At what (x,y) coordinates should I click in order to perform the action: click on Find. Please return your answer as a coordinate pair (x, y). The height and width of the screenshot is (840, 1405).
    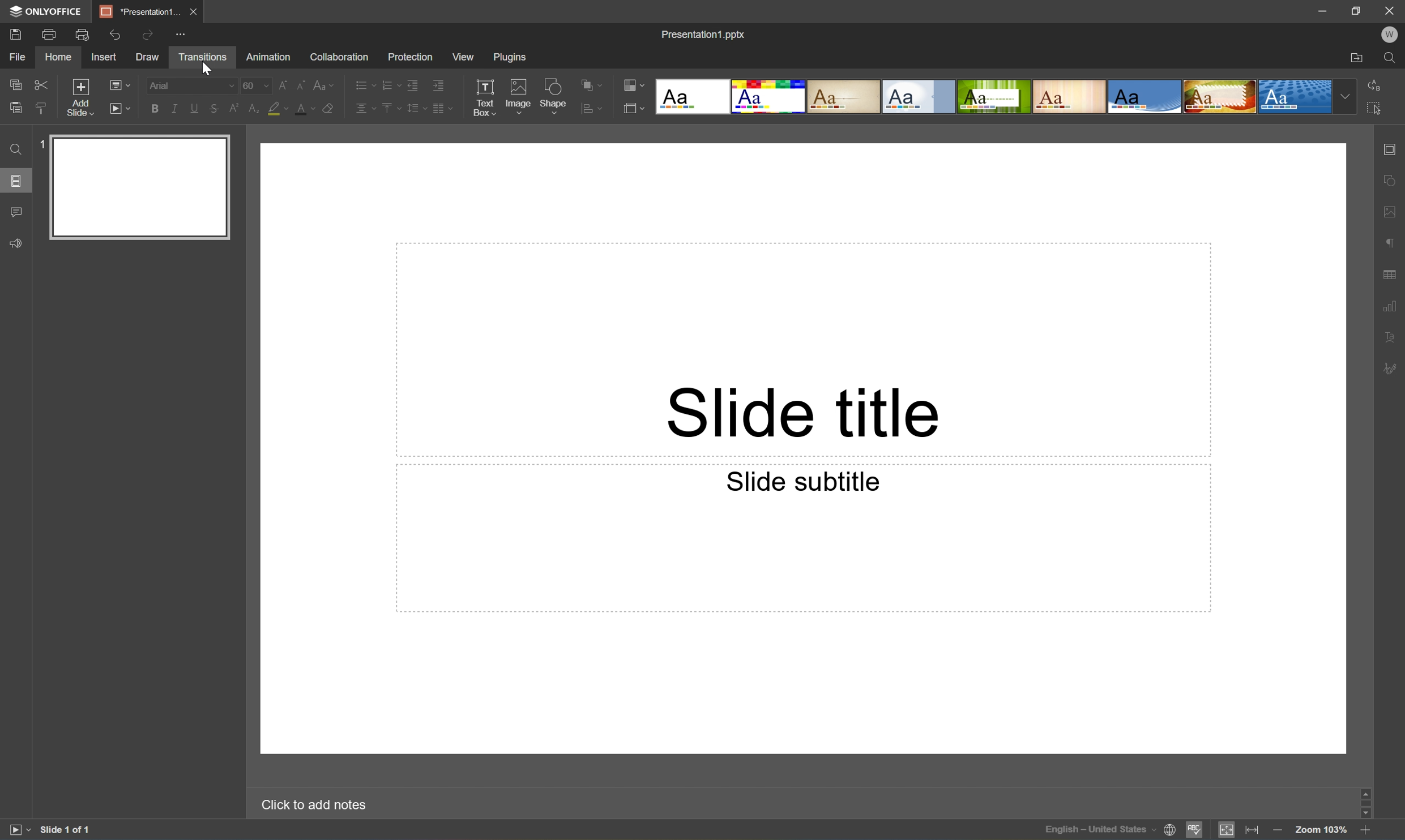
    Looking at the image, I should click on (16, 150).